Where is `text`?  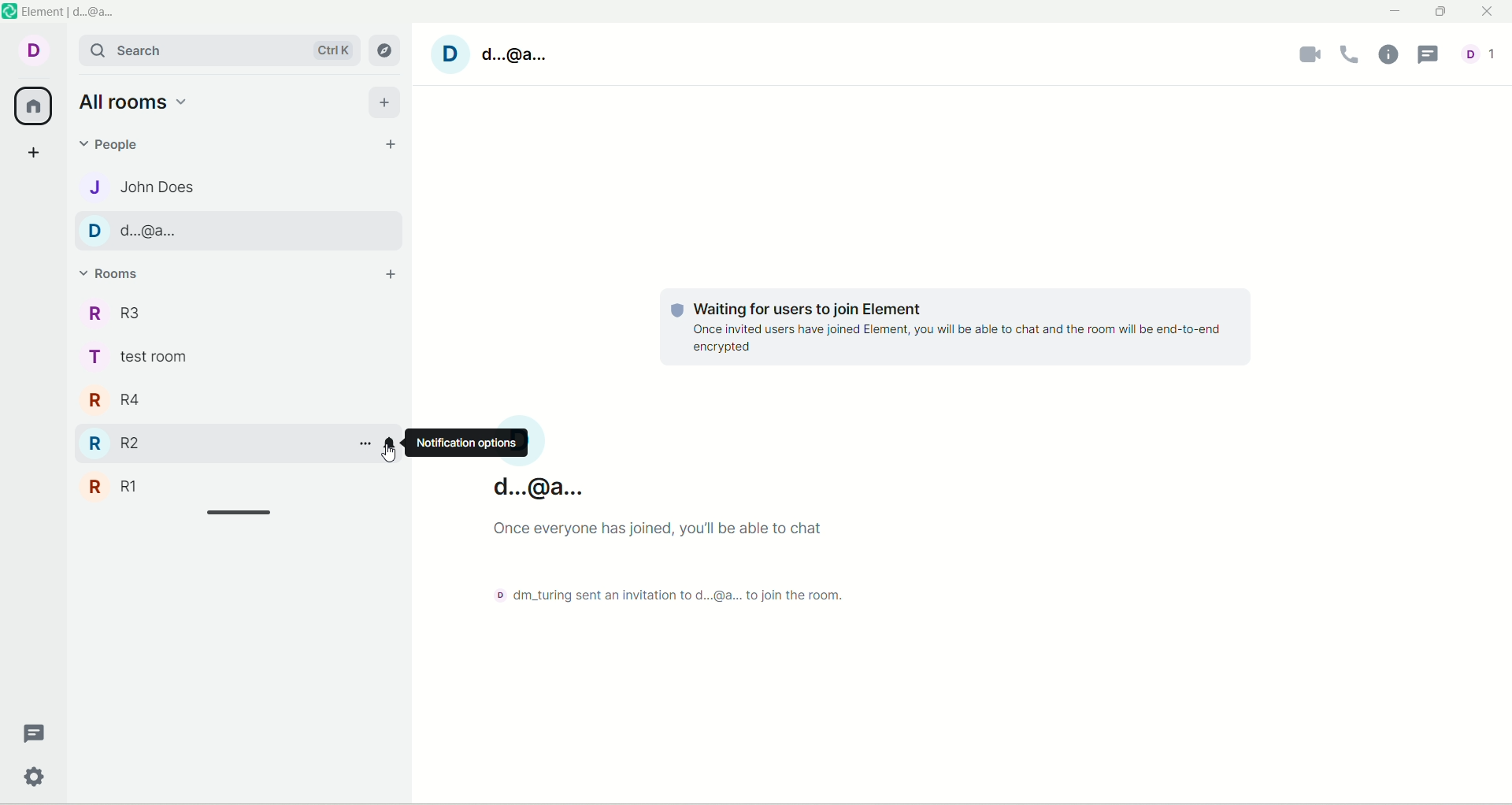 text is located at coordinates (682, 534).